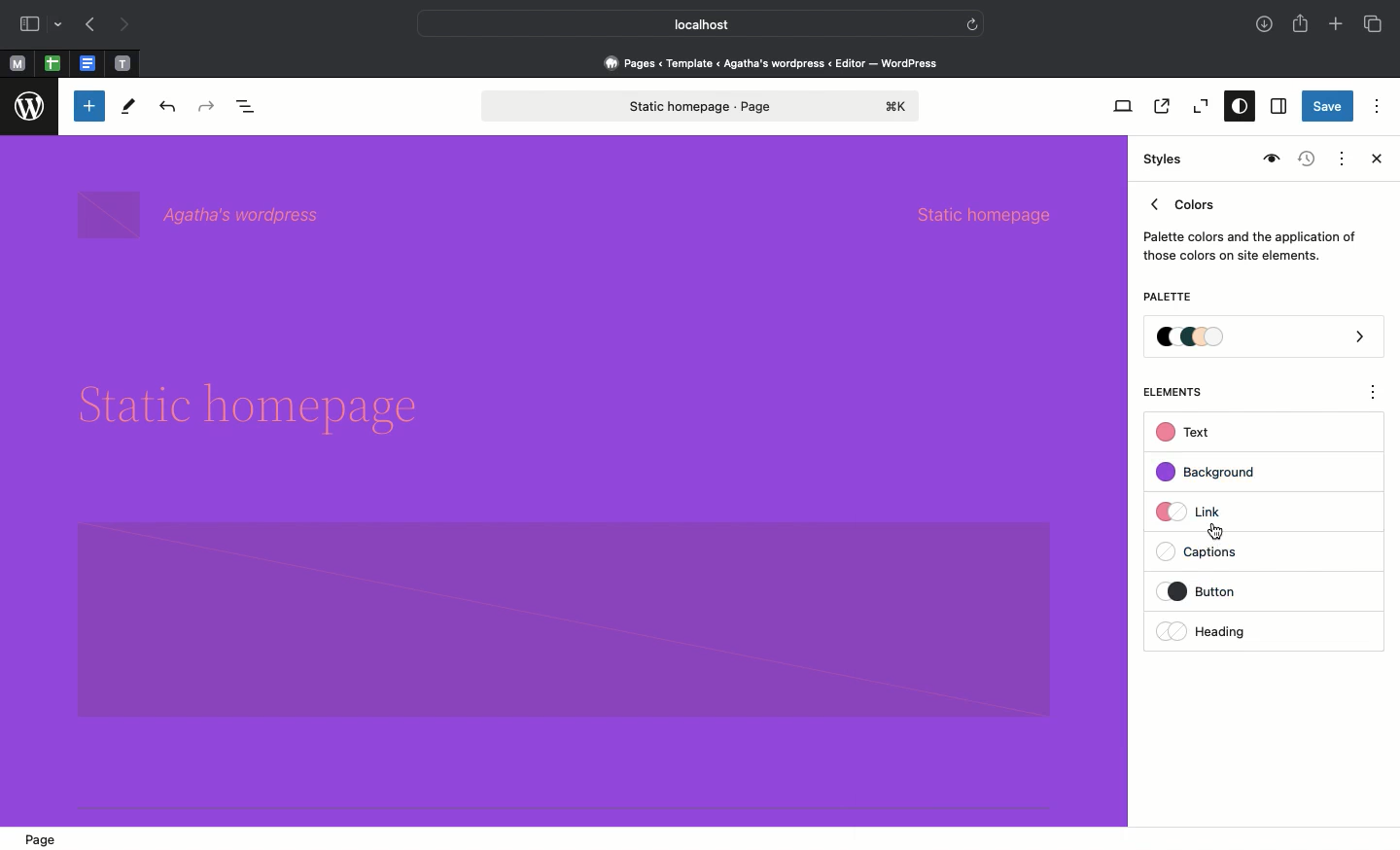 This screenshot has height=850, width=1400. Describe the element at coordinates (1159, 159) in the screenshot. I see `Styles` at that location.